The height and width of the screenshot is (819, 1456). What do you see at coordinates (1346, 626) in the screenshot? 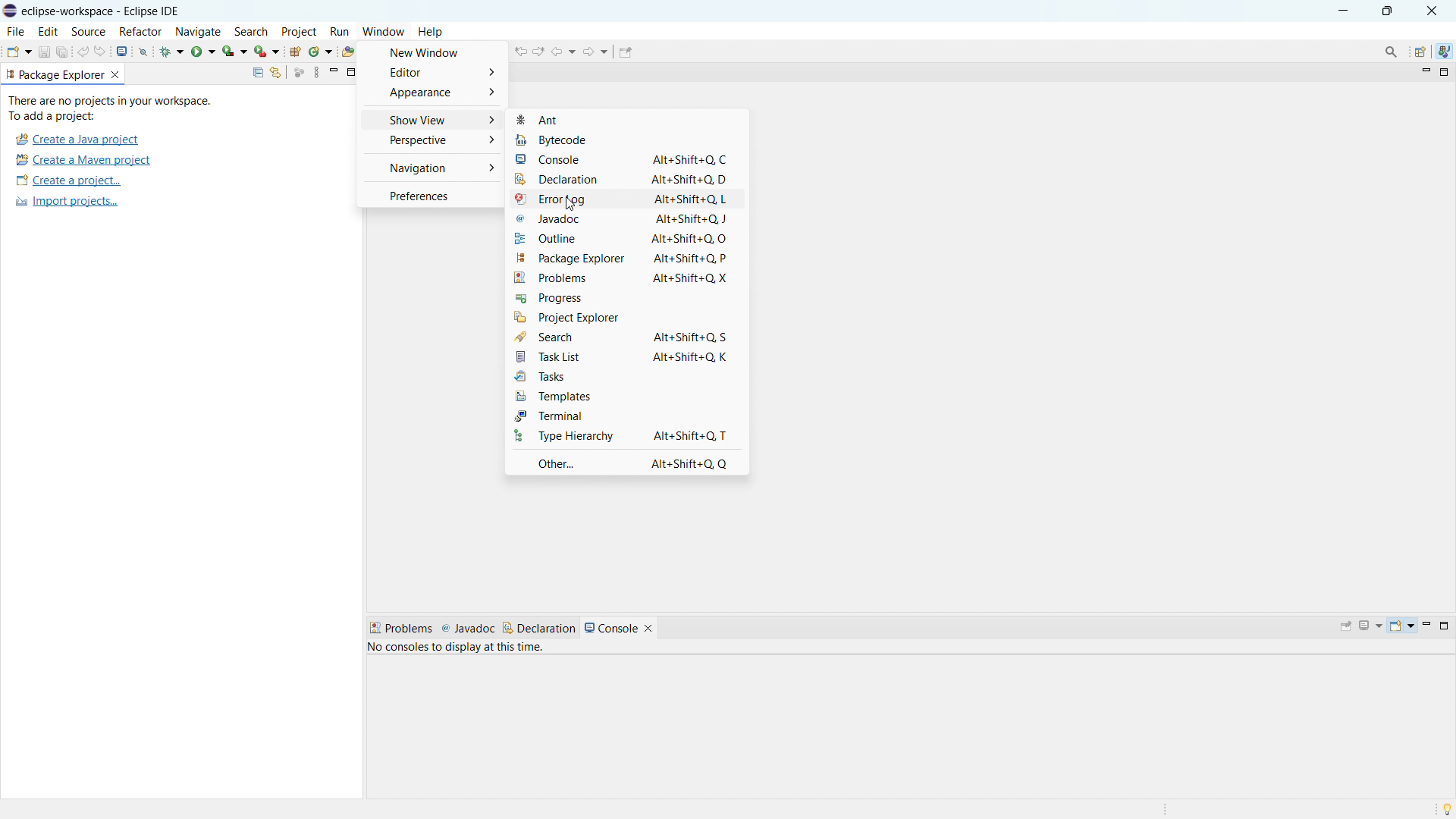
I see `pin console` at bounding box center [1346, 626].